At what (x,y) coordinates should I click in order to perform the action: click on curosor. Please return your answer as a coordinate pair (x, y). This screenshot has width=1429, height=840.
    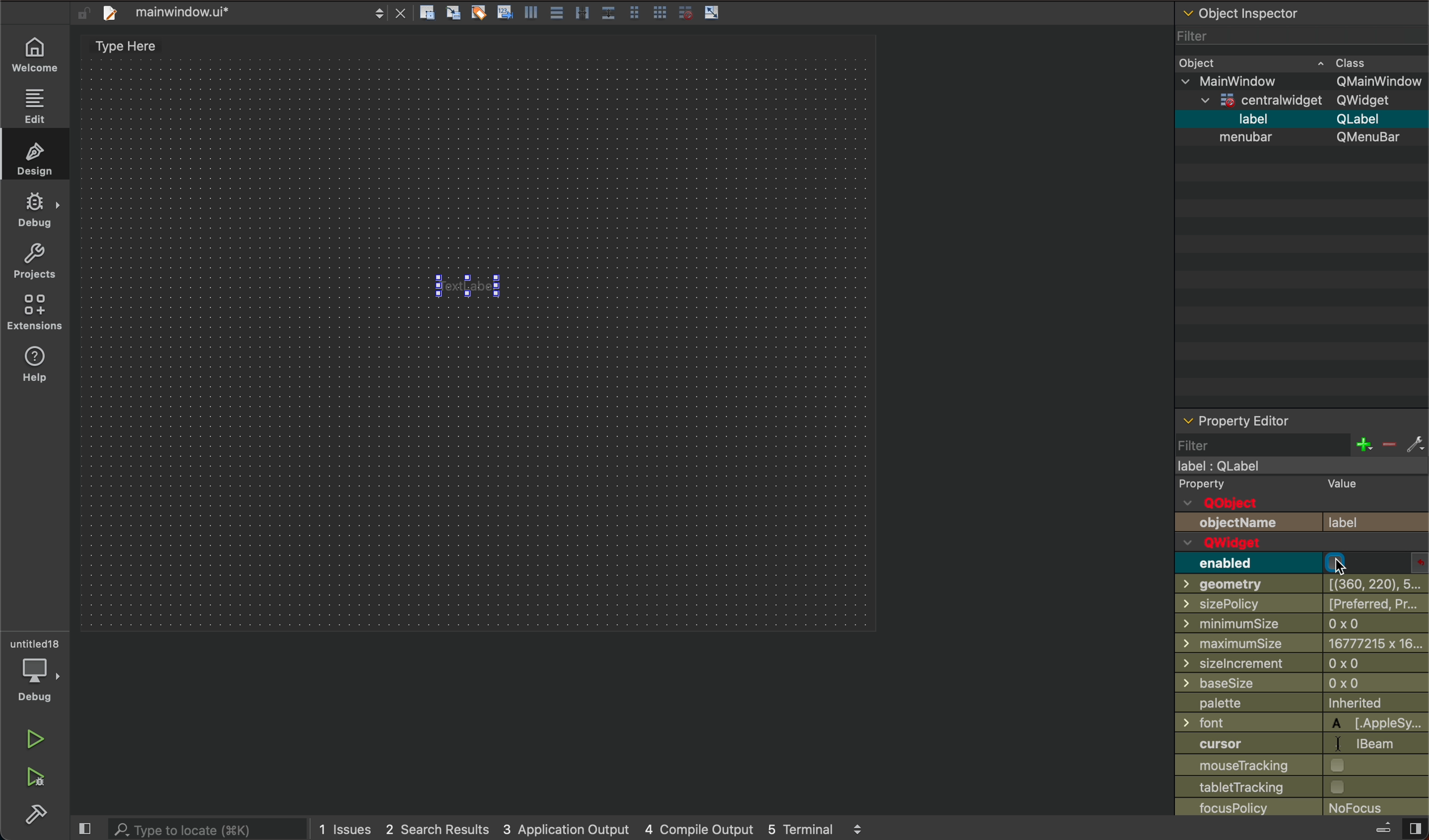
    Looking at the image, I should click on (1238, 743).